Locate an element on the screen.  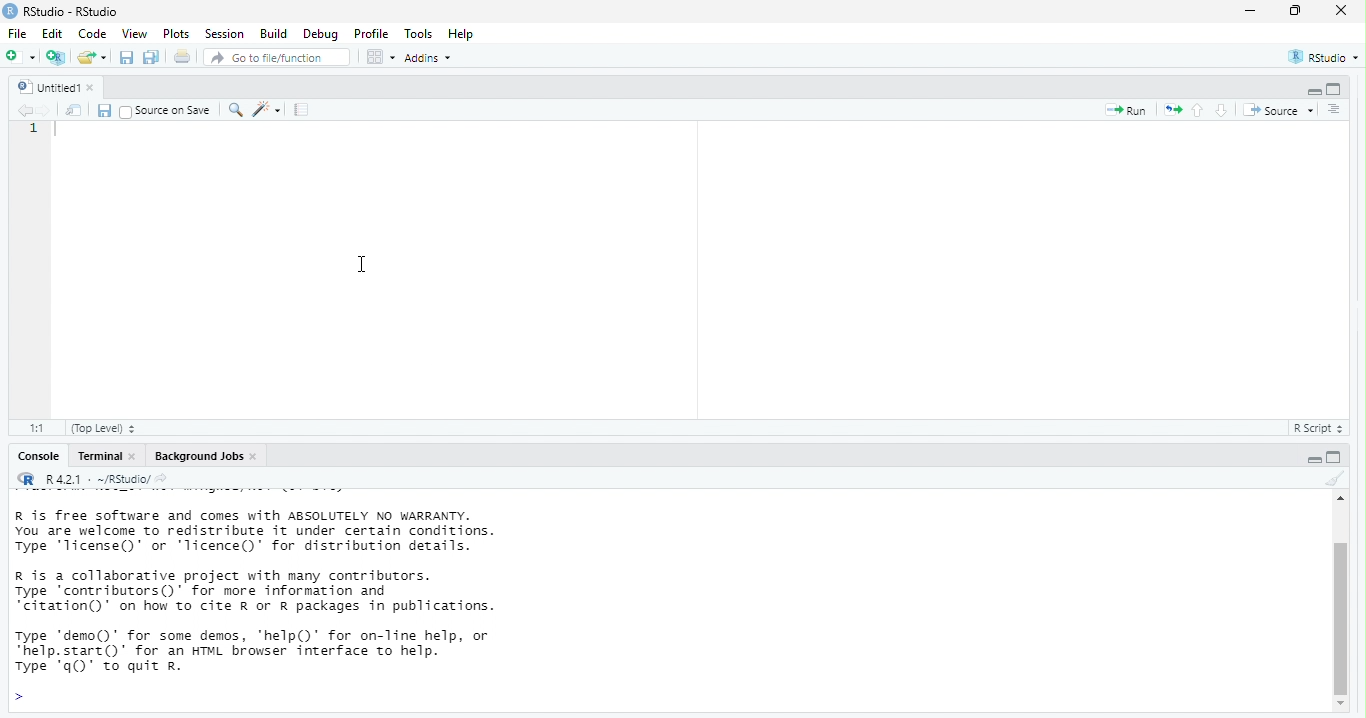
console is located at coordinates (32, 456).